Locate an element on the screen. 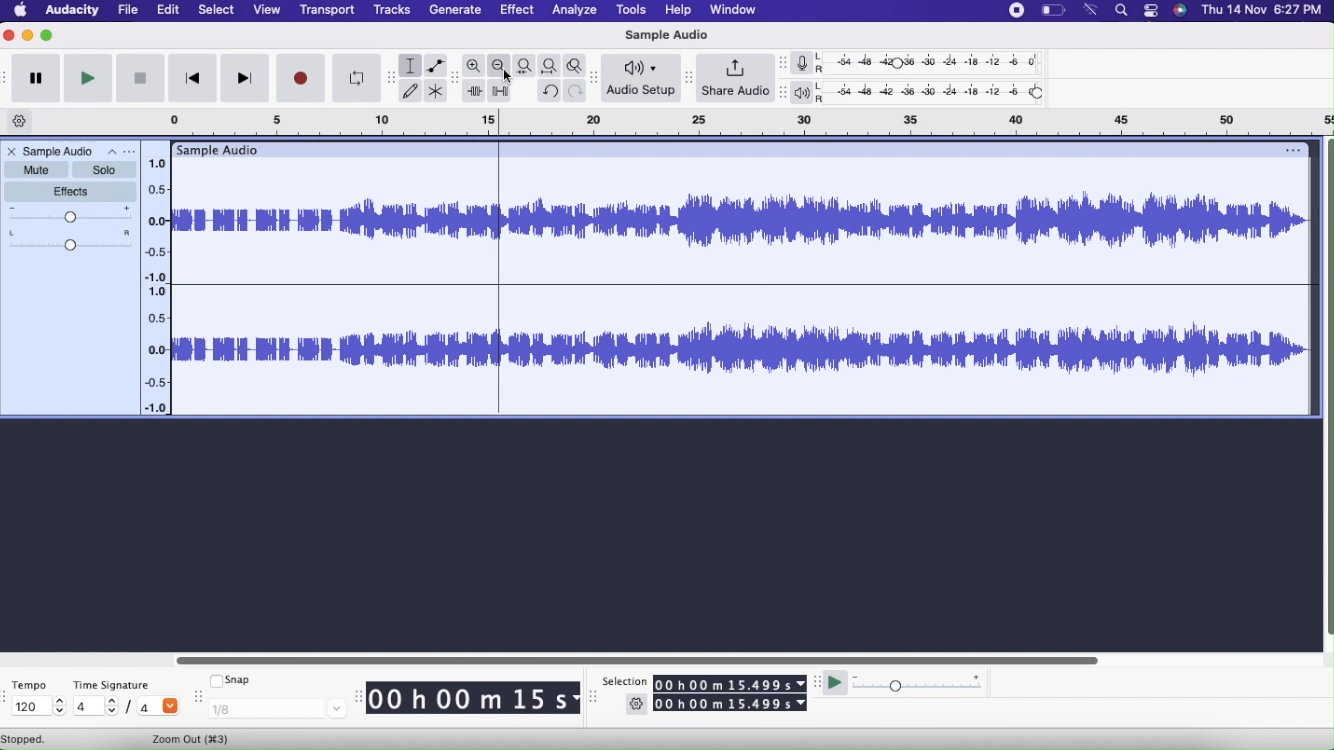  Options is located at coordinates (122, 150).